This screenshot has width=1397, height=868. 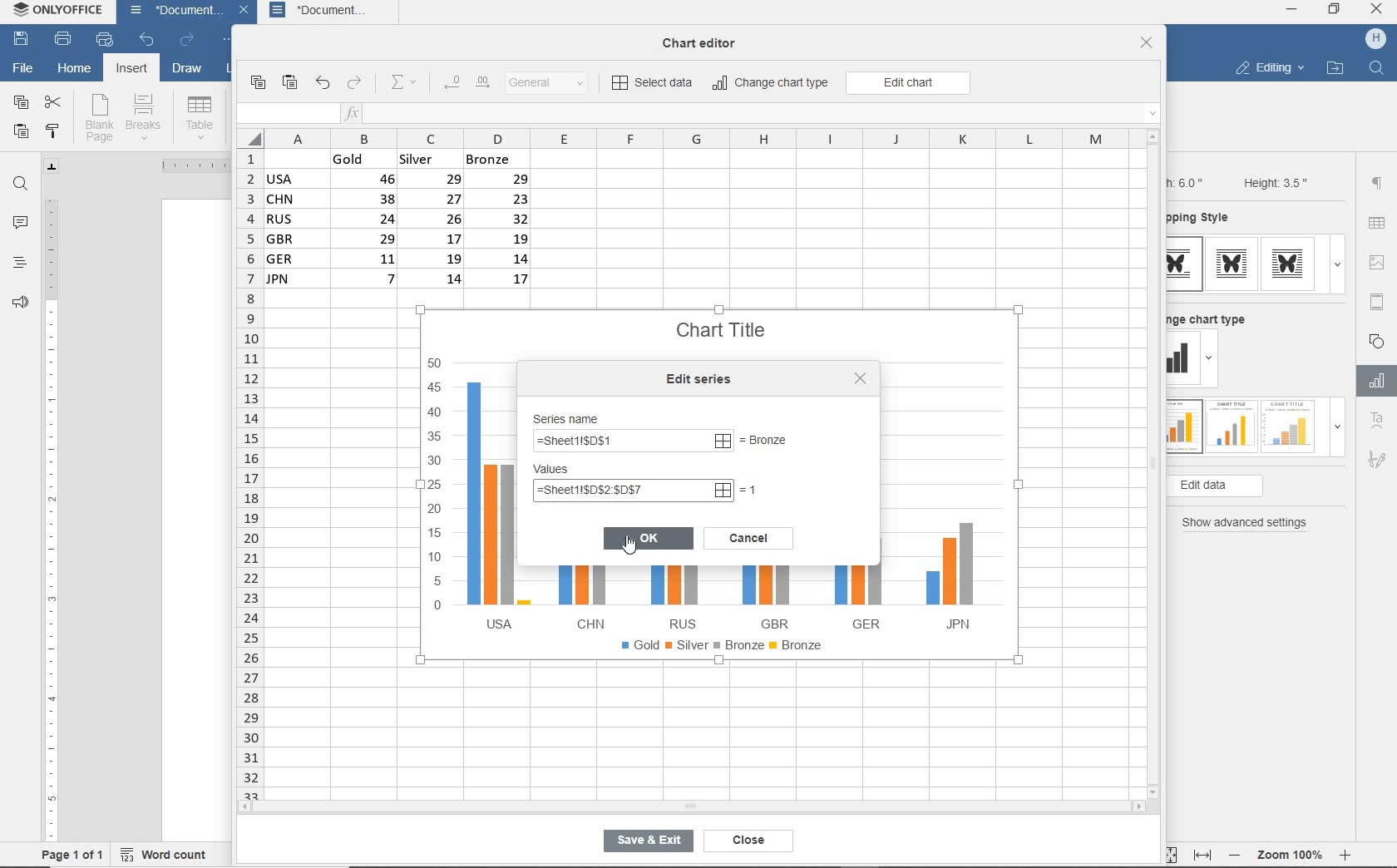 I want to click on quick print, so click(x=103, y=40).